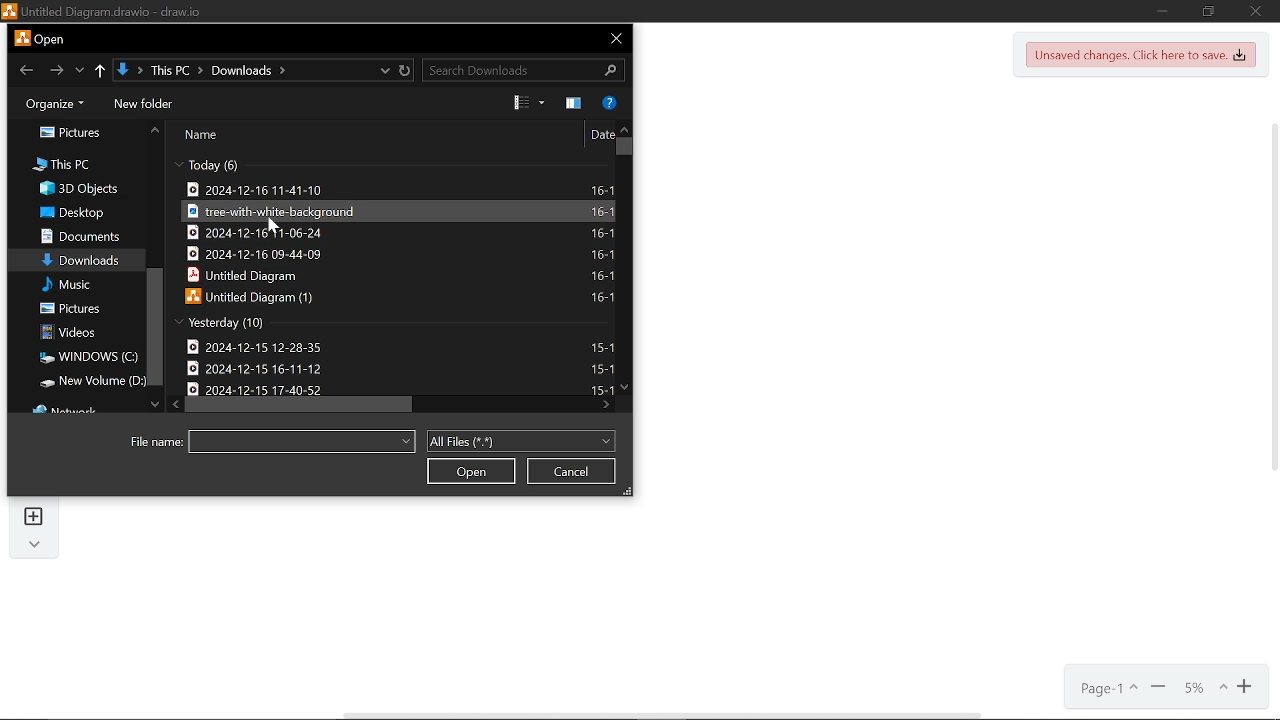 The image size is (1280, 720). What do you see at coordinates (399, 276) in the screenshot?
I see `file titled "Untitled diagram"` at bounding box center [399, 276].